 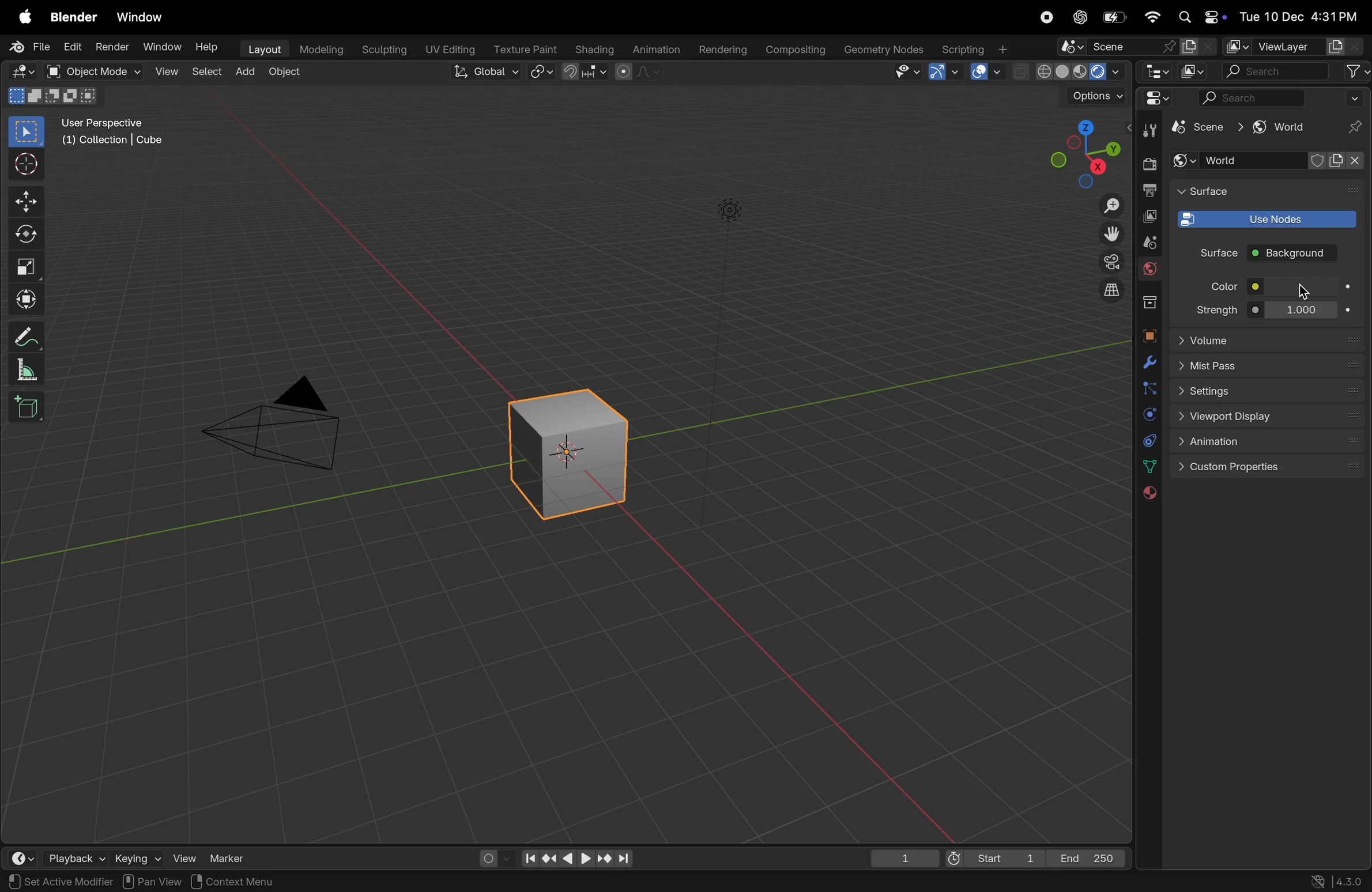 I want to click on world, so click(x=1280, y=127).